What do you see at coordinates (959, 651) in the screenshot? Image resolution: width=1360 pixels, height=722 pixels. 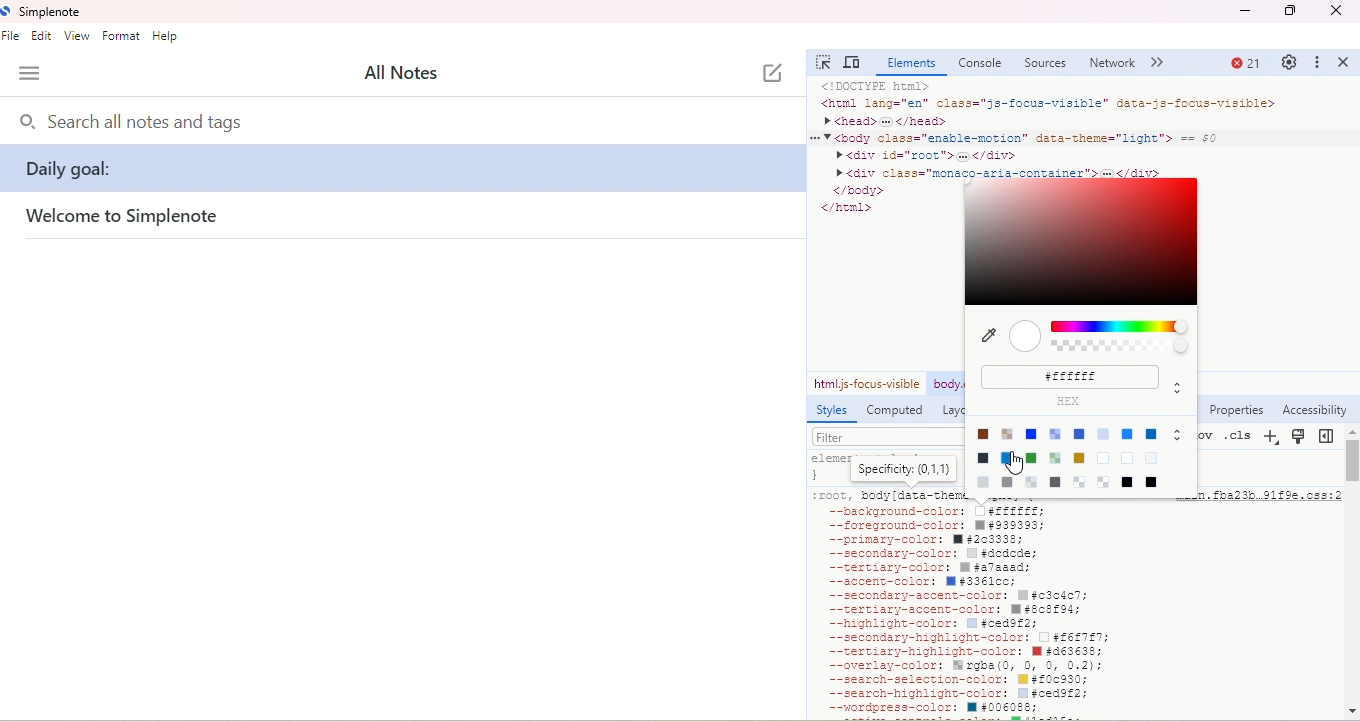 I see `tertiary-highlight-color` at bounding box center [959, 651].